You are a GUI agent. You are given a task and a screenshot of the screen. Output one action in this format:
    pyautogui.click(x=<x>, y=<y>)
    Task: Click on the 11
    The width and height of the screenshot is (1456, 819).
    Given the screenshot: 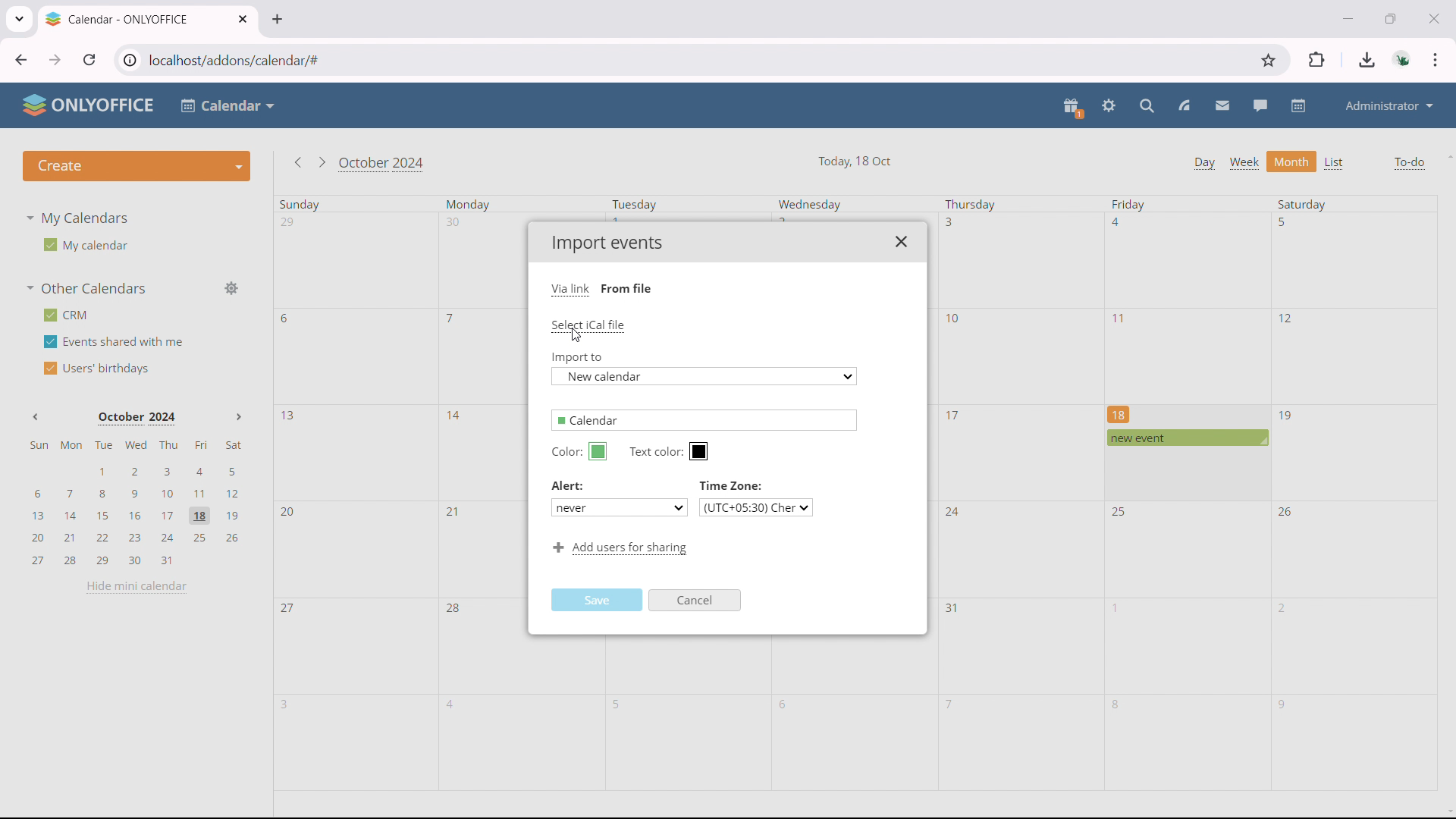 What is the action you would take?
    pyautogui.click(x=1122, y=318)
    